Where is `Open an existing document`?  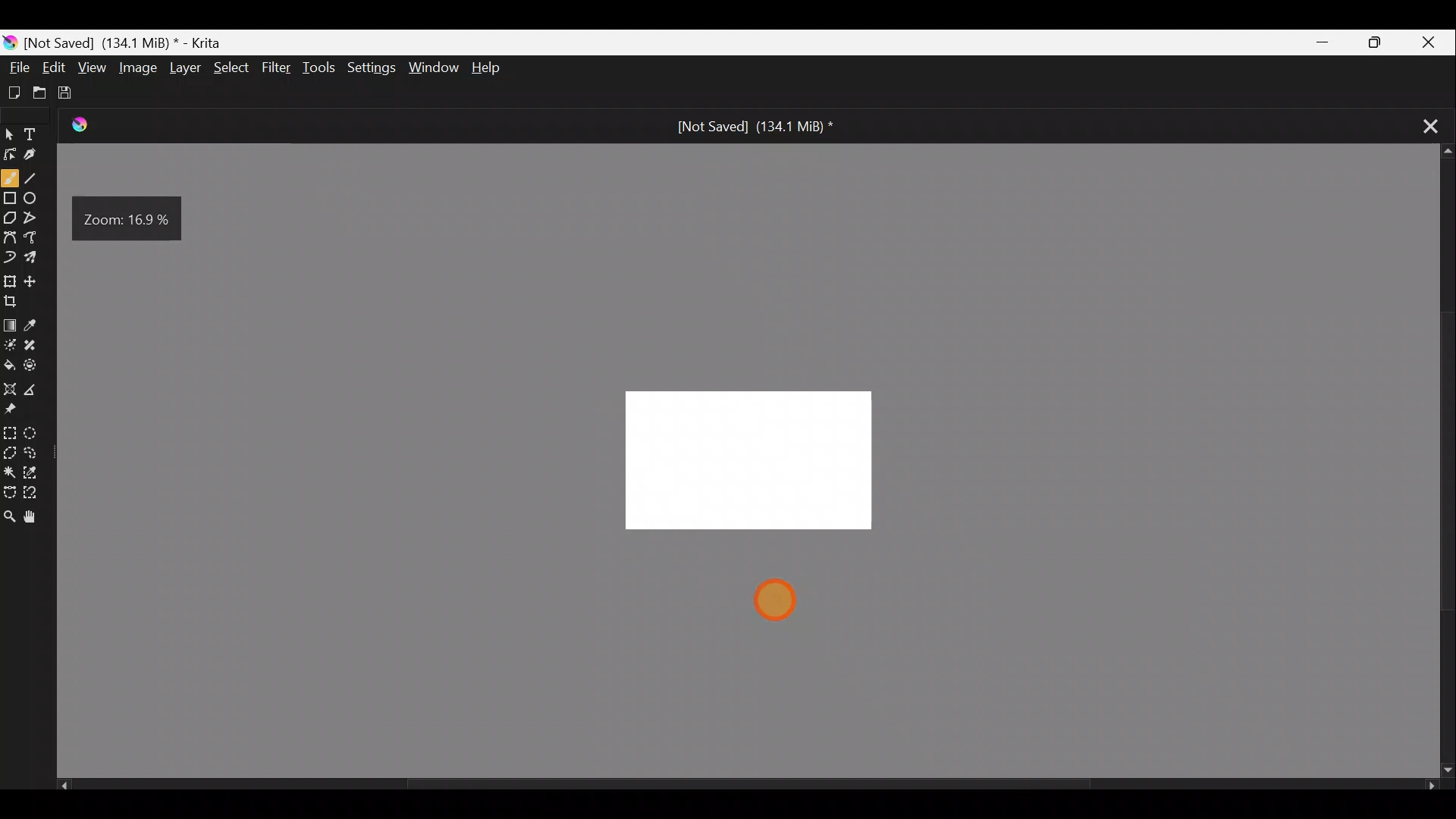
Open an existing document is located at coordinates (46, 93).